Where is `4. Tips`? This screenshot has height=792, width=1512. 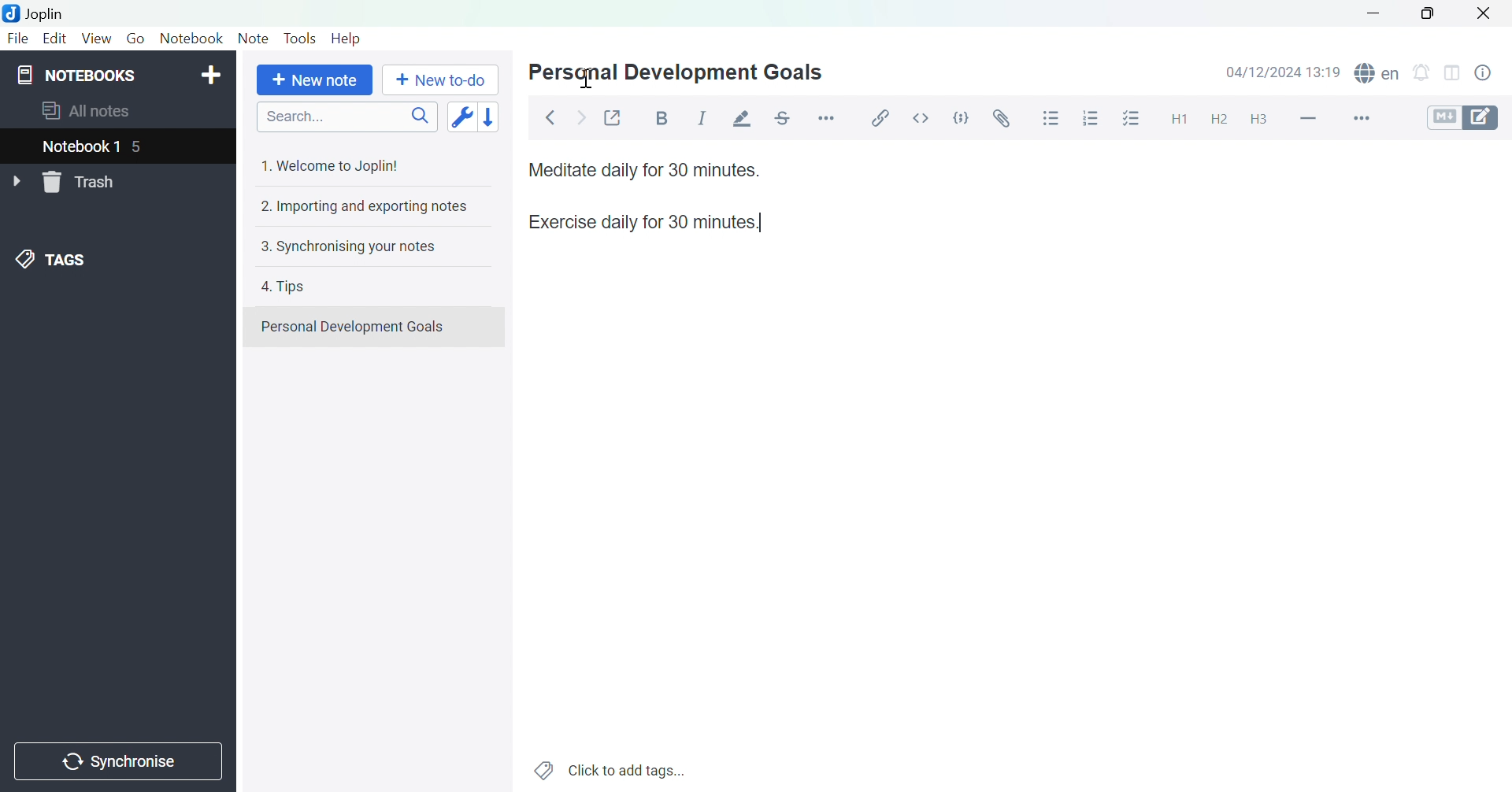
4. Tips is located at coordinates (287, 287).